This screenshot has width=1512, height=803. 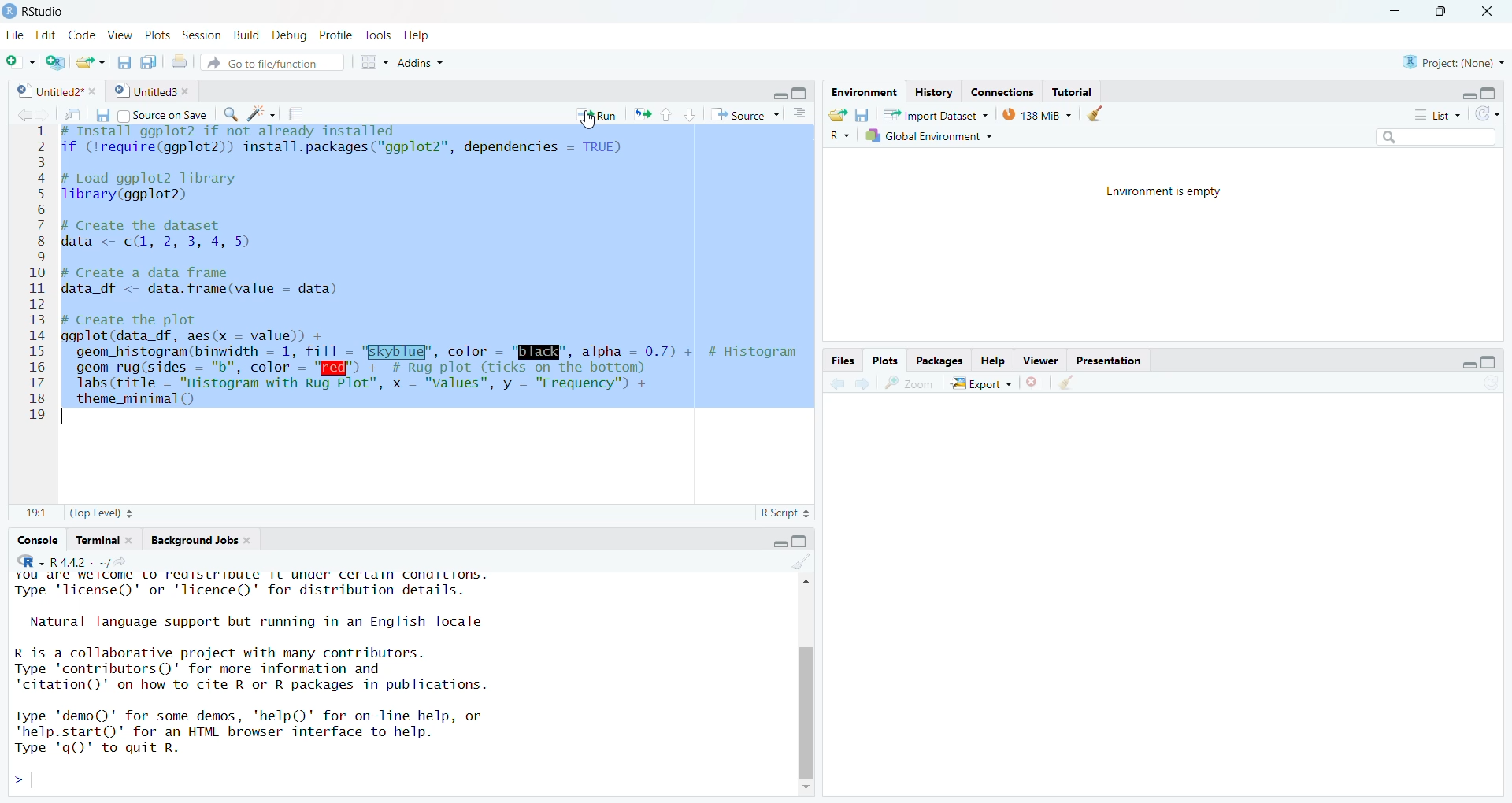 What do you see at coordinates (1099, 113) in the screenshot?
I see `Clear environment` at bounding box center [1099, 113].